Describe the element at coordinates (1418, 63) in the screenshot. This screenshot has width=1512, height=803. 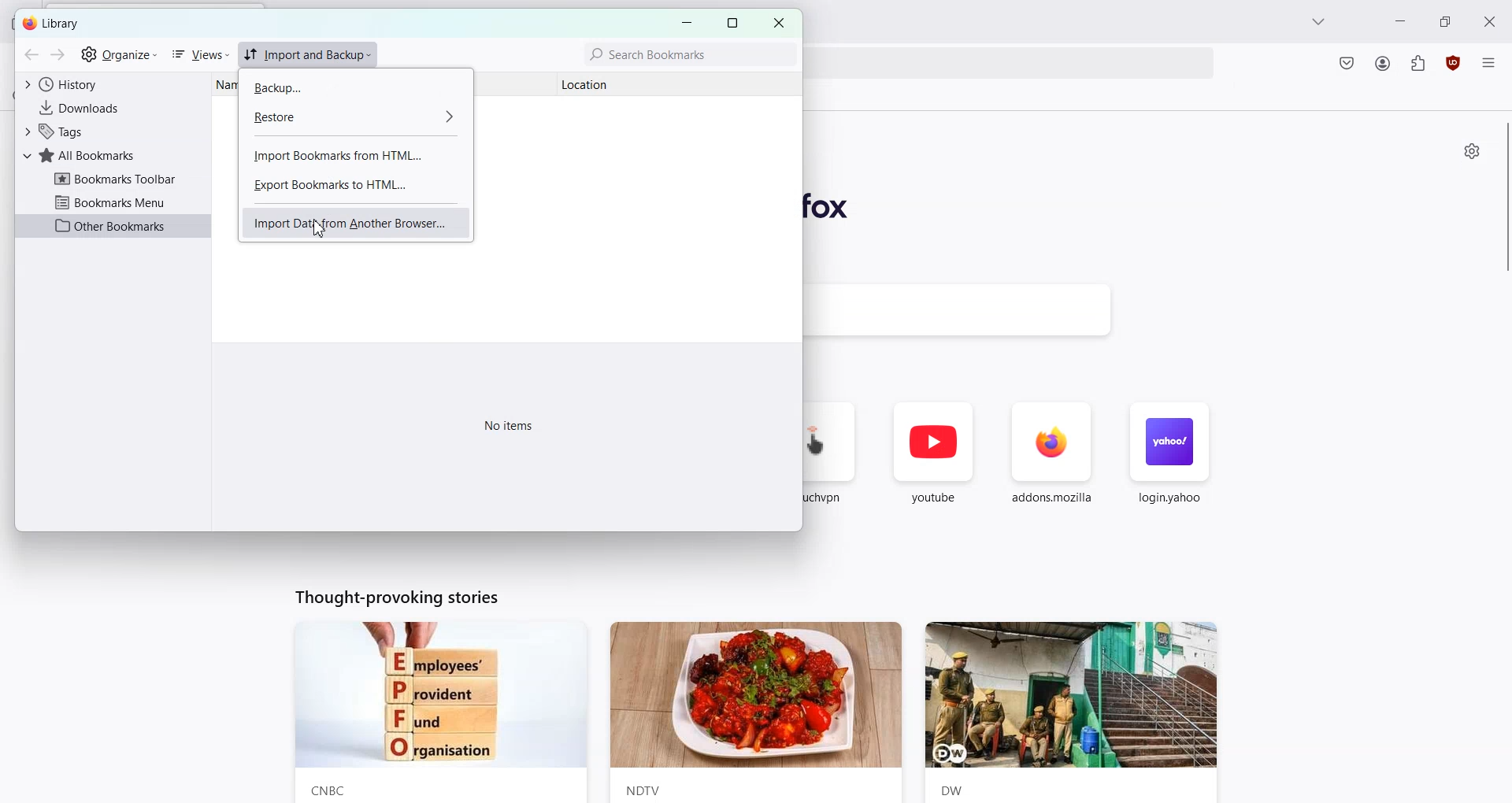
I see `Extensions` at that location.